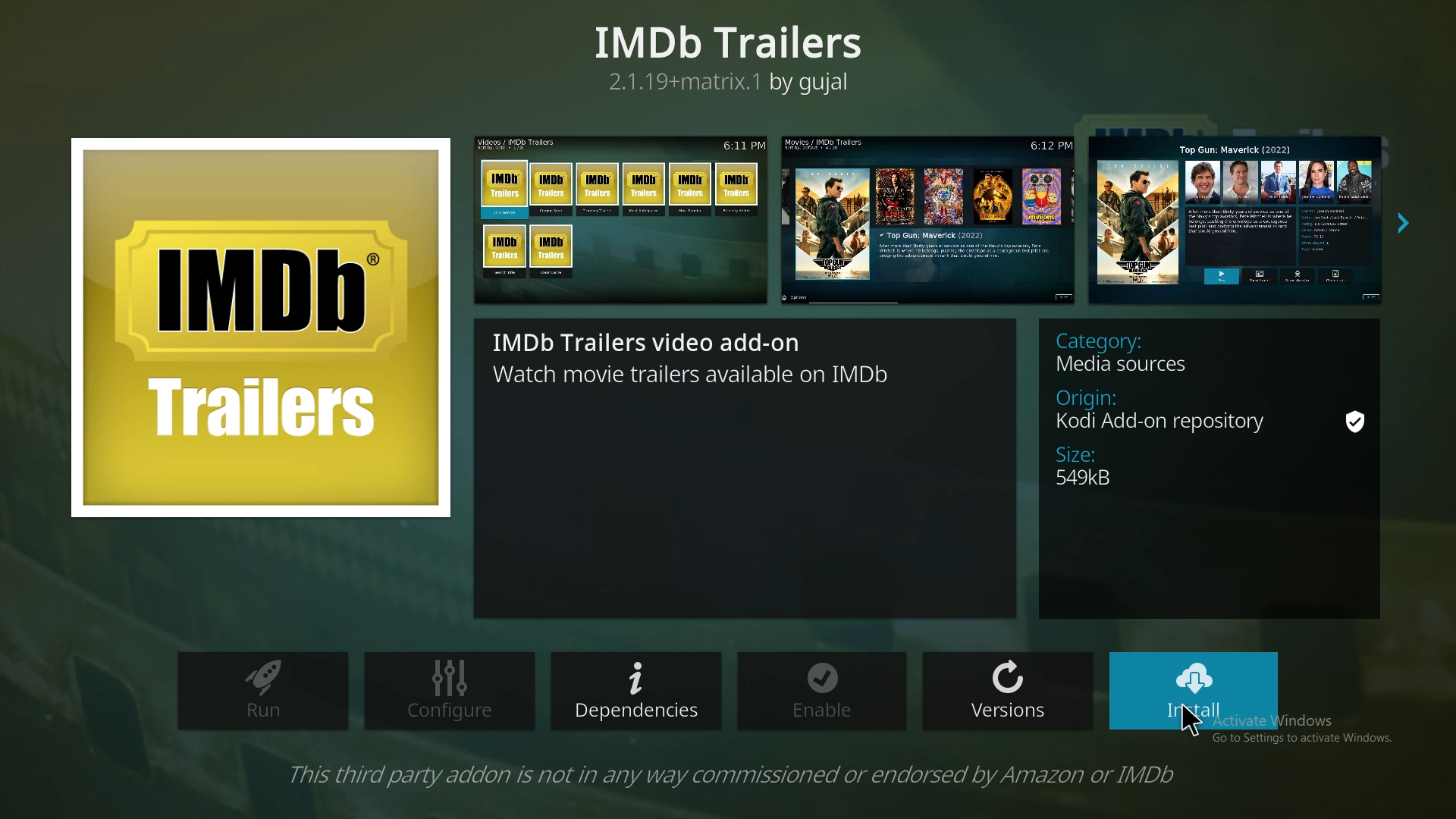  What do you see at coordinates (1174, 409) in the screenshot?
I see `origin` at bounding box center [1174, 409].